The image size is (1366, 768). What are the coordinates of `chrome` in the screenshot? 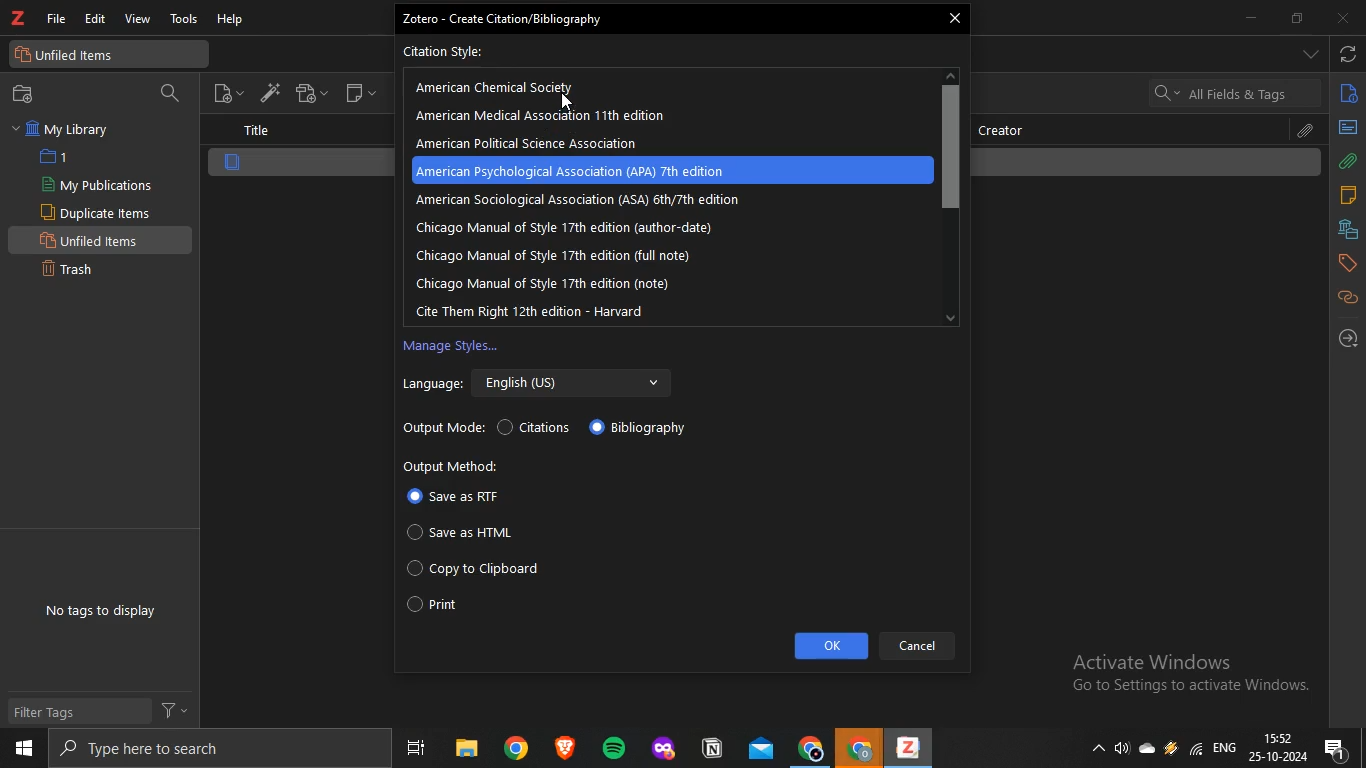 It's located at (516, 747).